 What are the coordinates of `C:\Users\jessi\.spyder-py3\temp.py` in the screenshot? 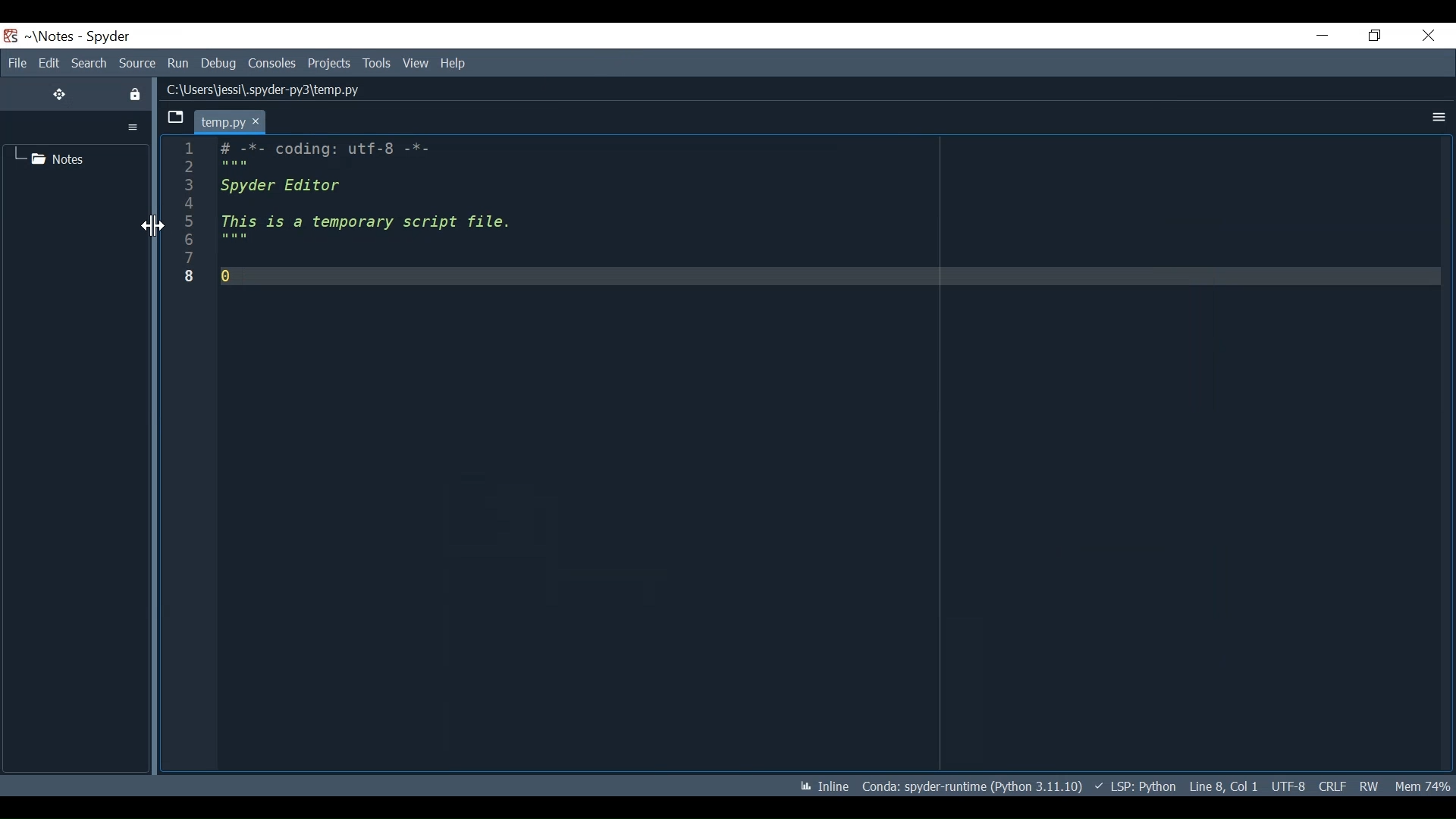 It's located at (262, 89).